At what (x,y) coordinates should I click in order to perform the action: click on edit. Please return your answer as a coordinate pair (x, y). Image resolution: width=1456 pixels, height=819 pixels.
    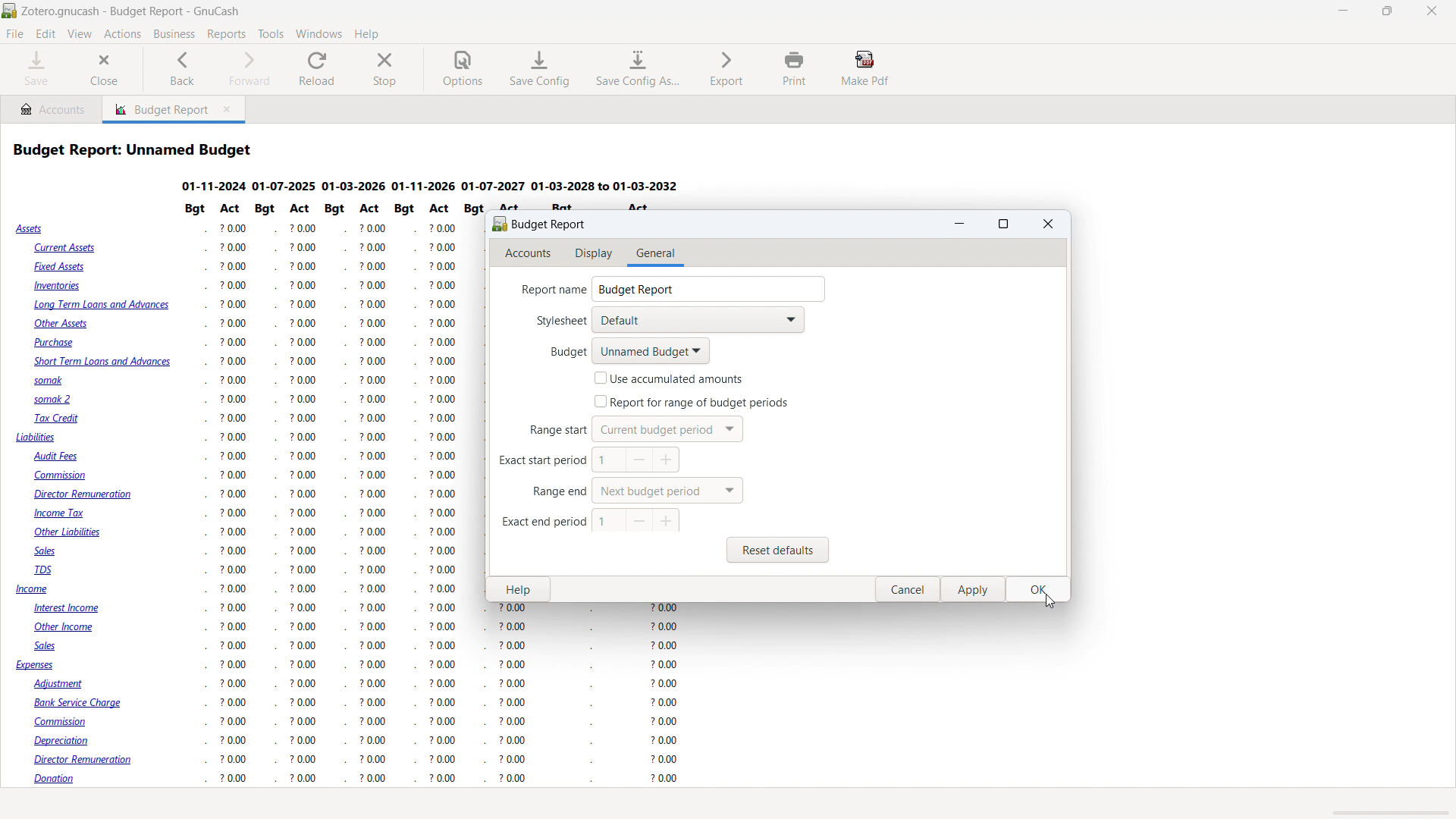
    Looking at the image, I should click on (46, 34).